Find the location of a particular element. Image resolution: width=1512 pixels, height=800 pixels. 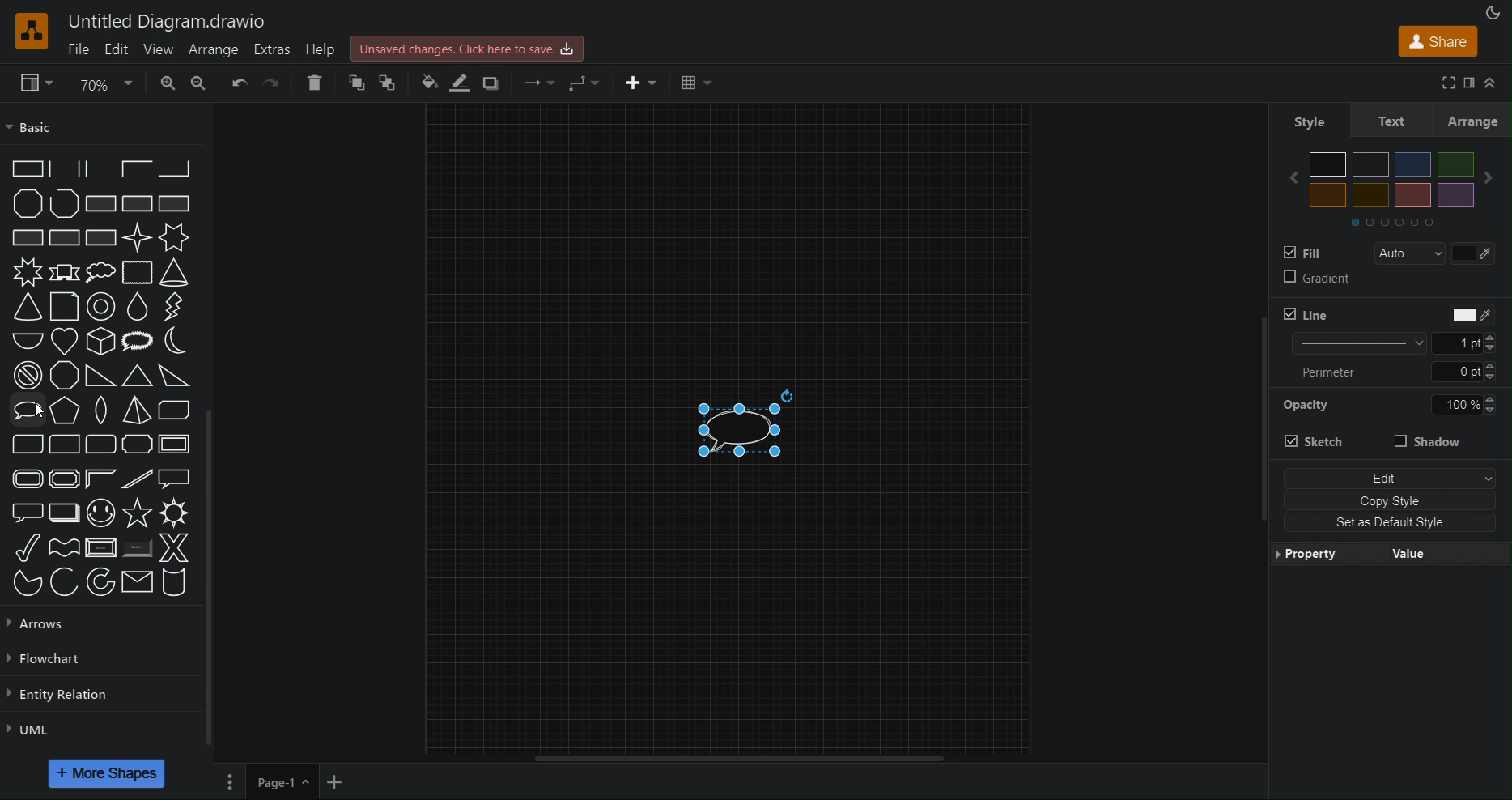

Insert is located at coordinates (639, 84).